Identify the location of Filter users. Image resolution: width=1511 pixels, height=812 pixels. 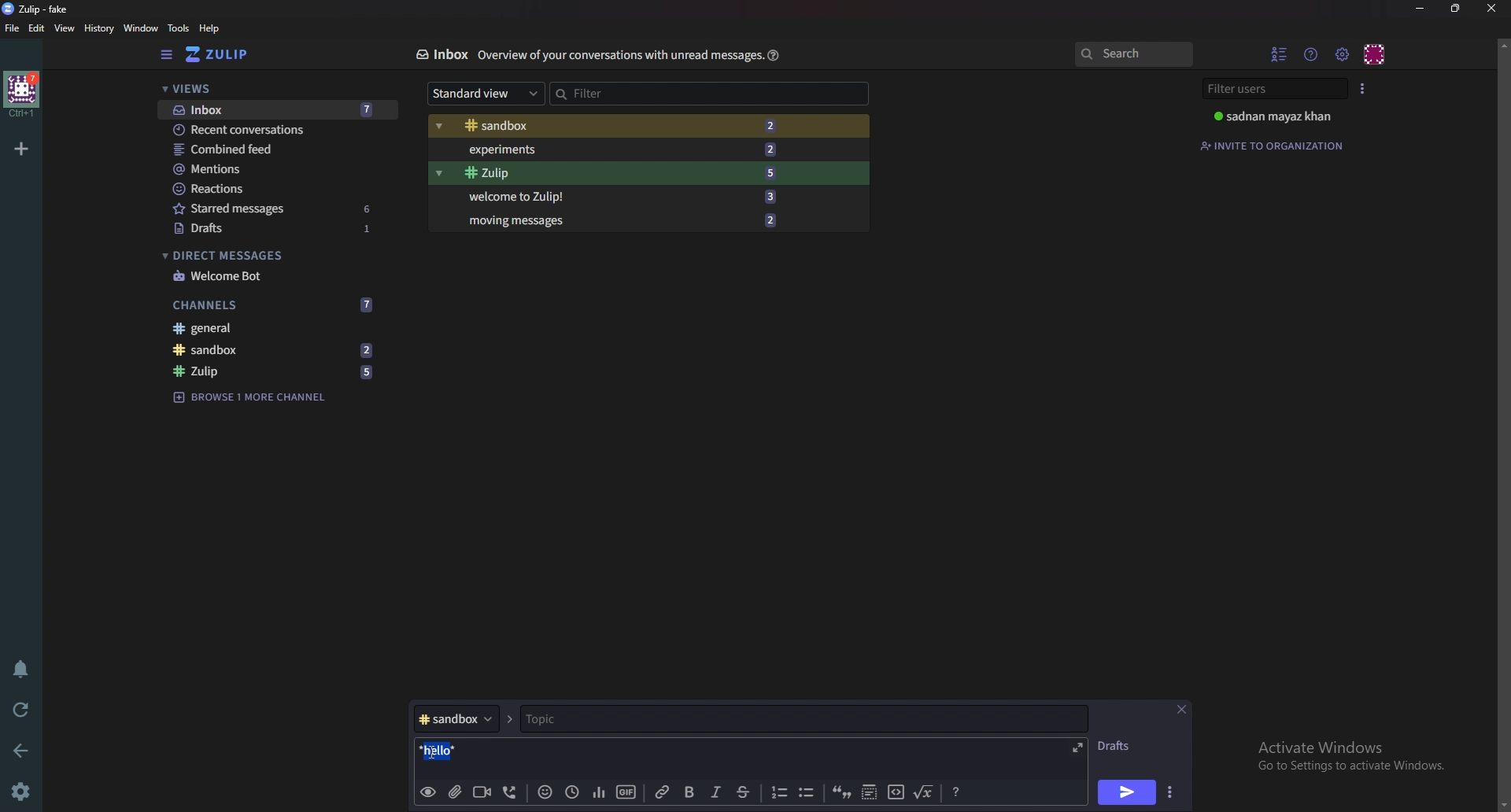
(1269, 88).